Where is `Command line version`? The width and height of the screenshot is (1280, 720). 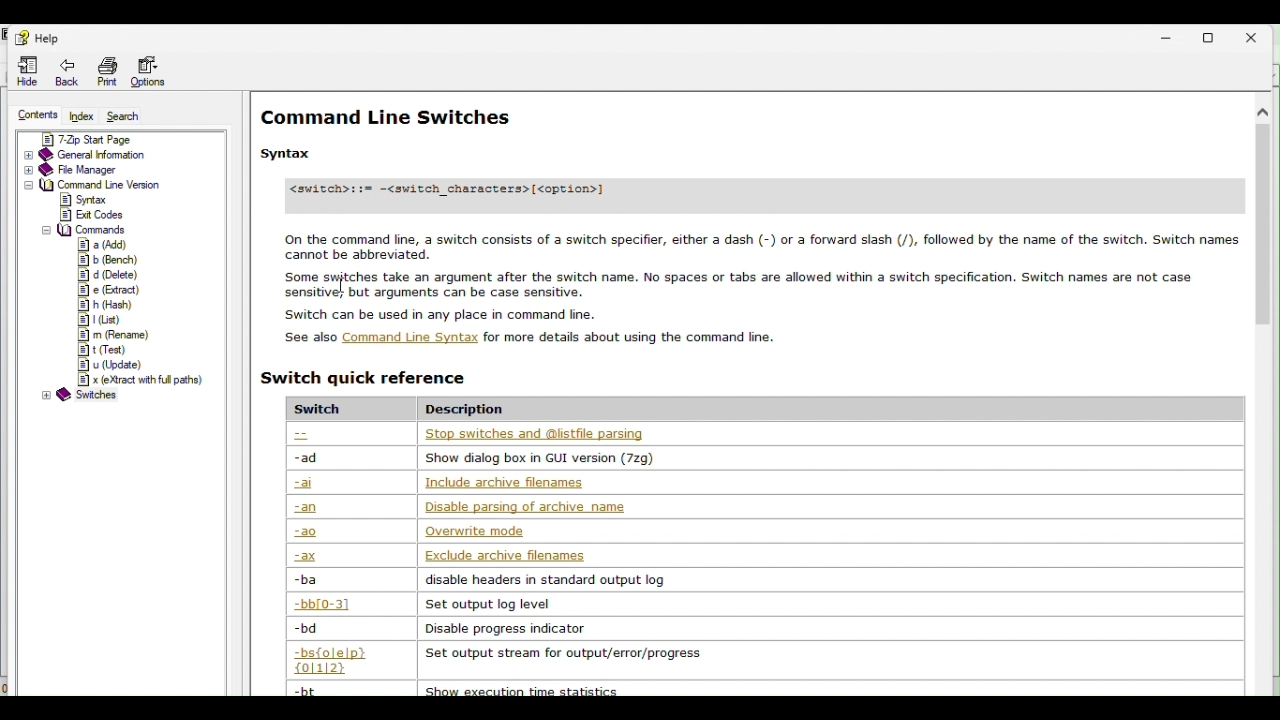
Command line version is located at coordinates (110, 187).